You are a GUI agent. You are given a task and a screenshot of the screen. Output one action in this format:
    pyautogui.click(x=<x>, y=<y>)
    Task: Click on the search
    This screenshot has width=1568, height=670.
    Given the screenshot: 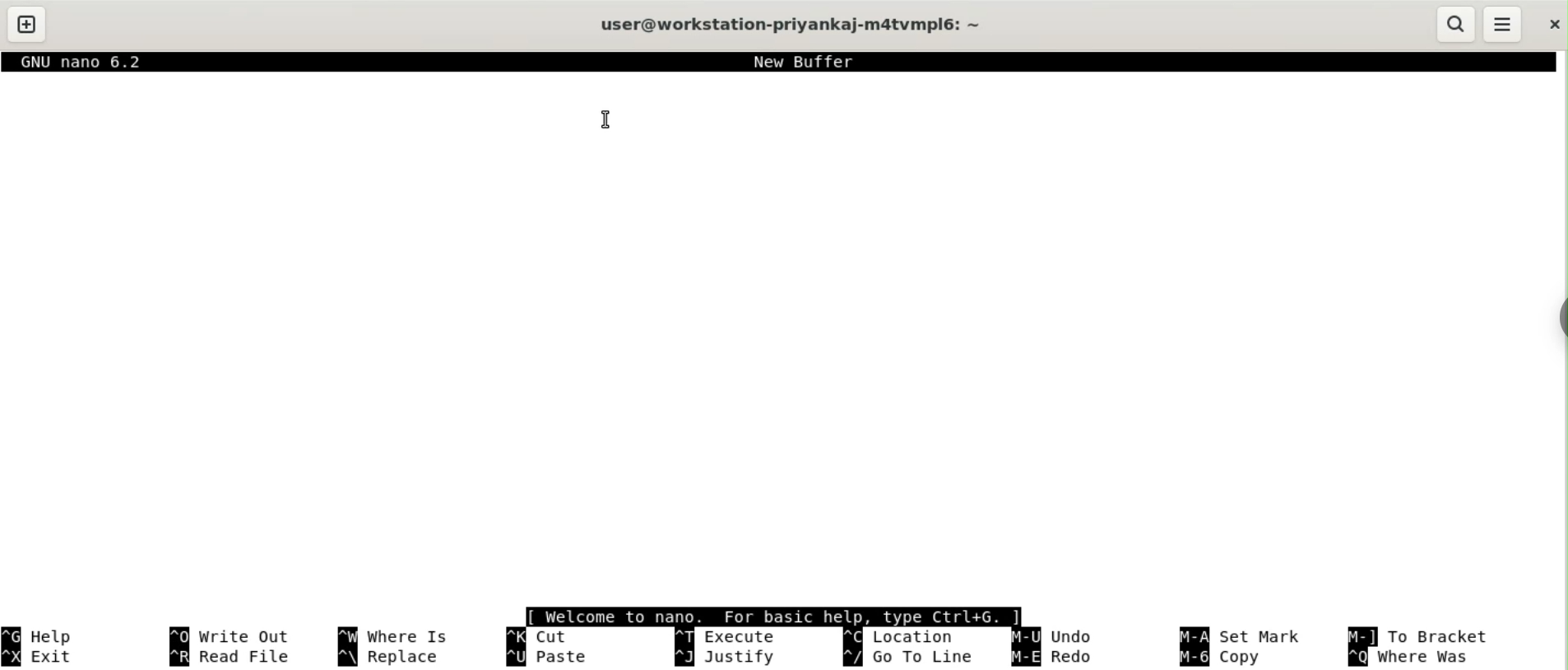 What is the action you would take?
    pyautogui.click(x=1456, y=24)
    